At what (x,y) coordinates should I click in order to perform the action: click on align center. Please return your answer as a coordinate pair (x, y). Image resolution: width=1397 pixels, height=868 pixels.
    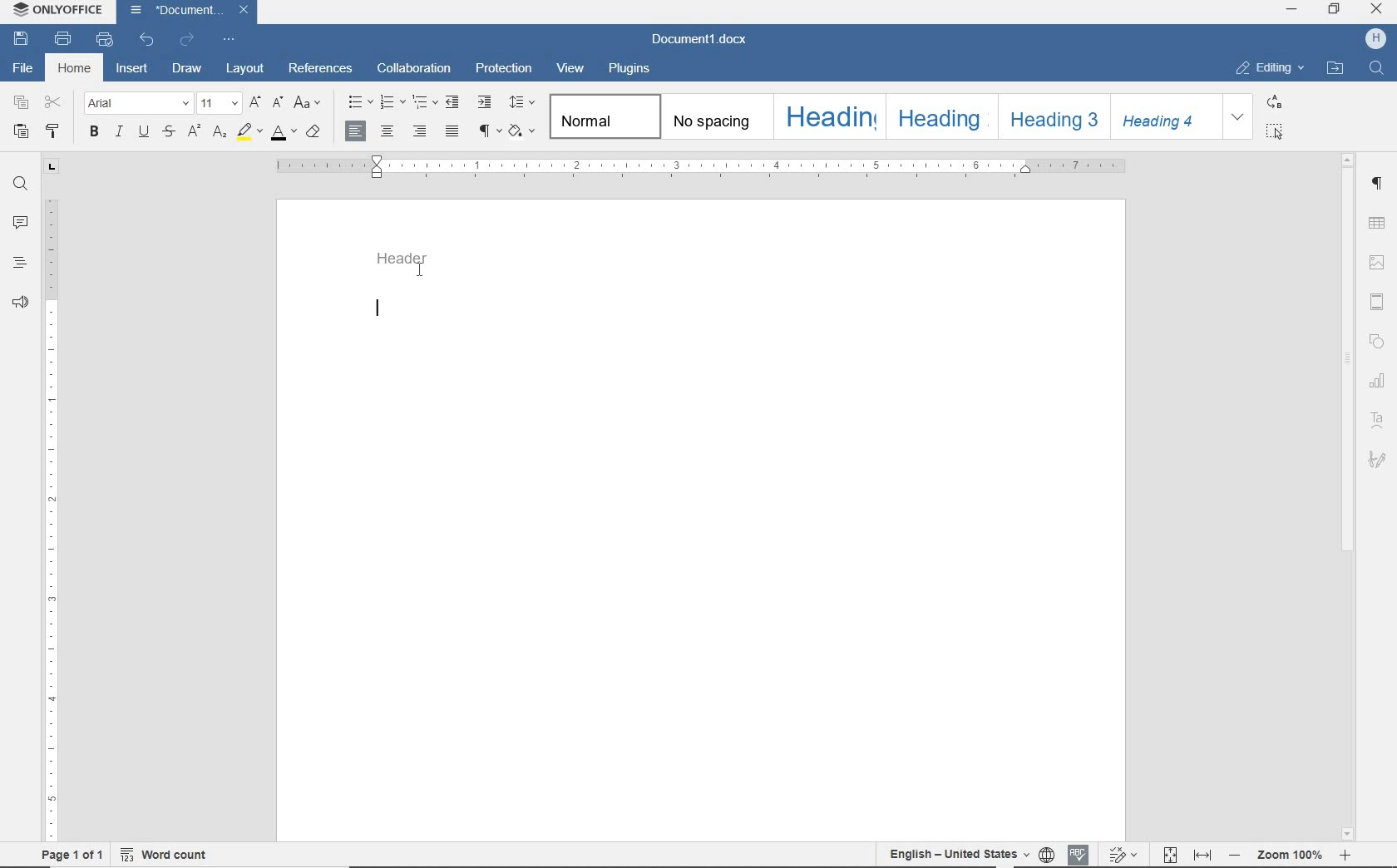
    Looking at the image, I should click on (387, 133).